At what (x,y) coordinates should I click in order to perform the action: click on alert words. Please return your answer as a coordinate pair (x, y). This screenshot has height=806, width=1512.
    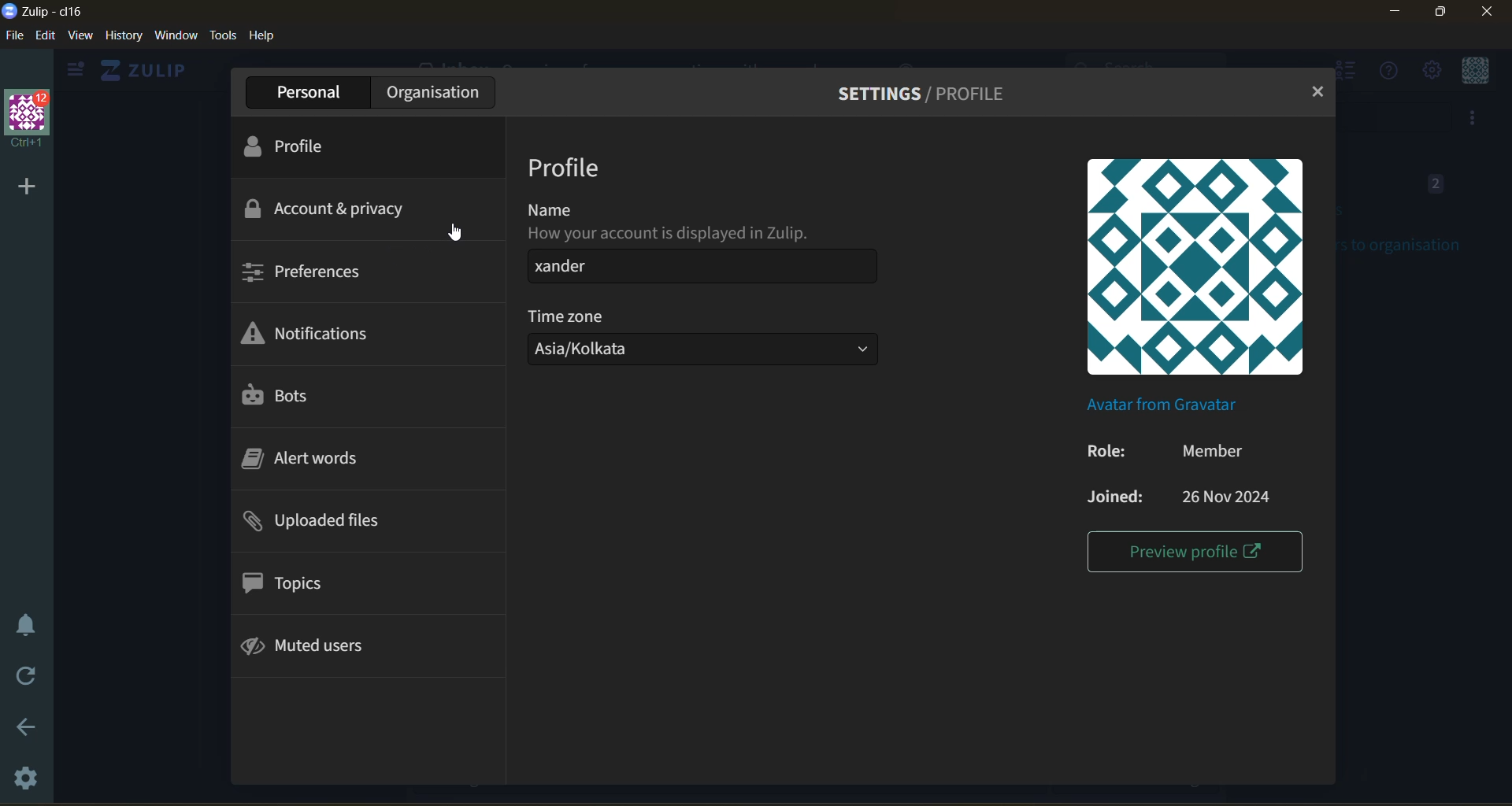
    Looking at the image, I should click on (319, 462).